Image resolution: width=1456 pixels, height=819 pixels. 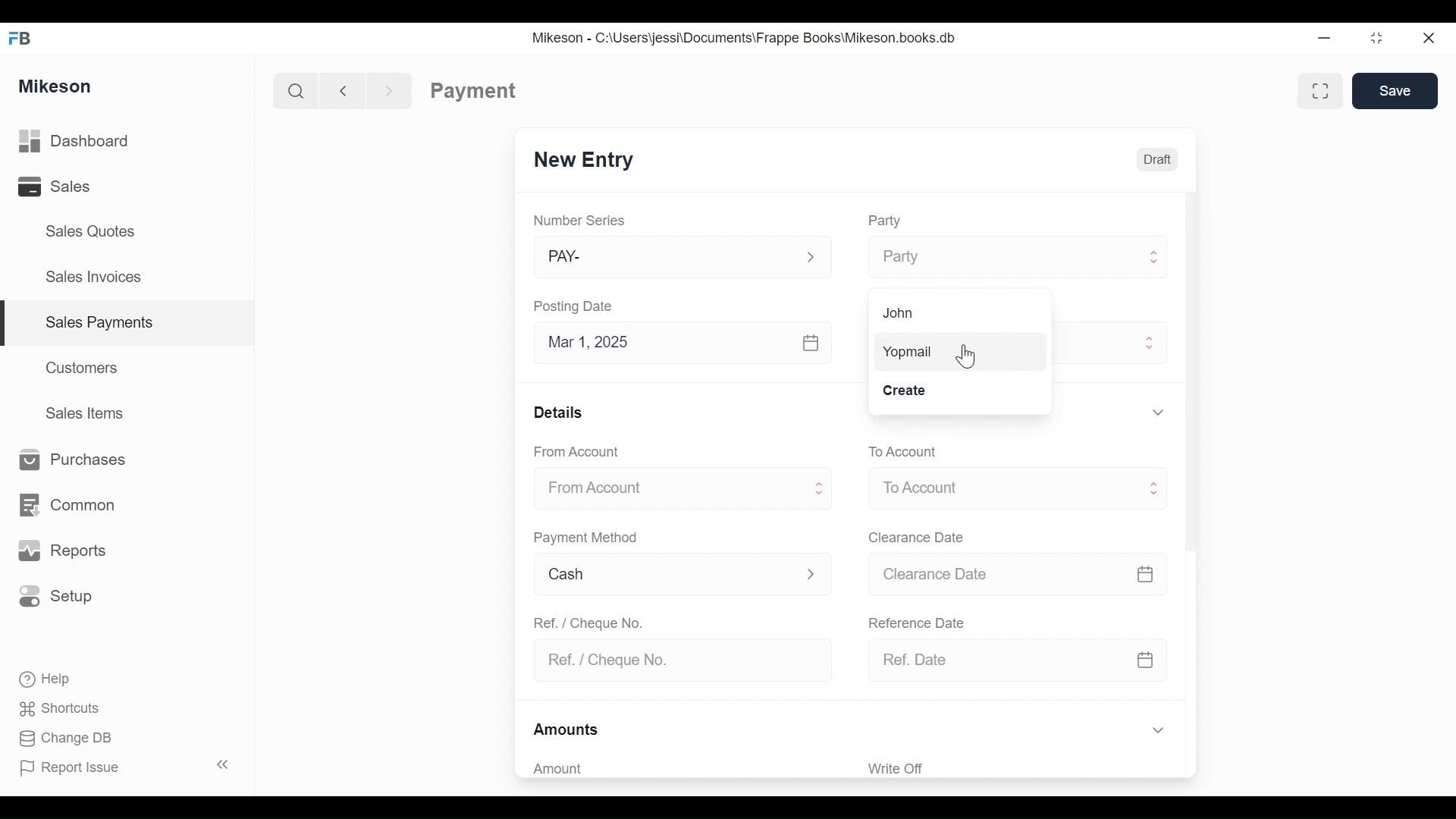 I want to click on Help, so click(x=56, y=679).